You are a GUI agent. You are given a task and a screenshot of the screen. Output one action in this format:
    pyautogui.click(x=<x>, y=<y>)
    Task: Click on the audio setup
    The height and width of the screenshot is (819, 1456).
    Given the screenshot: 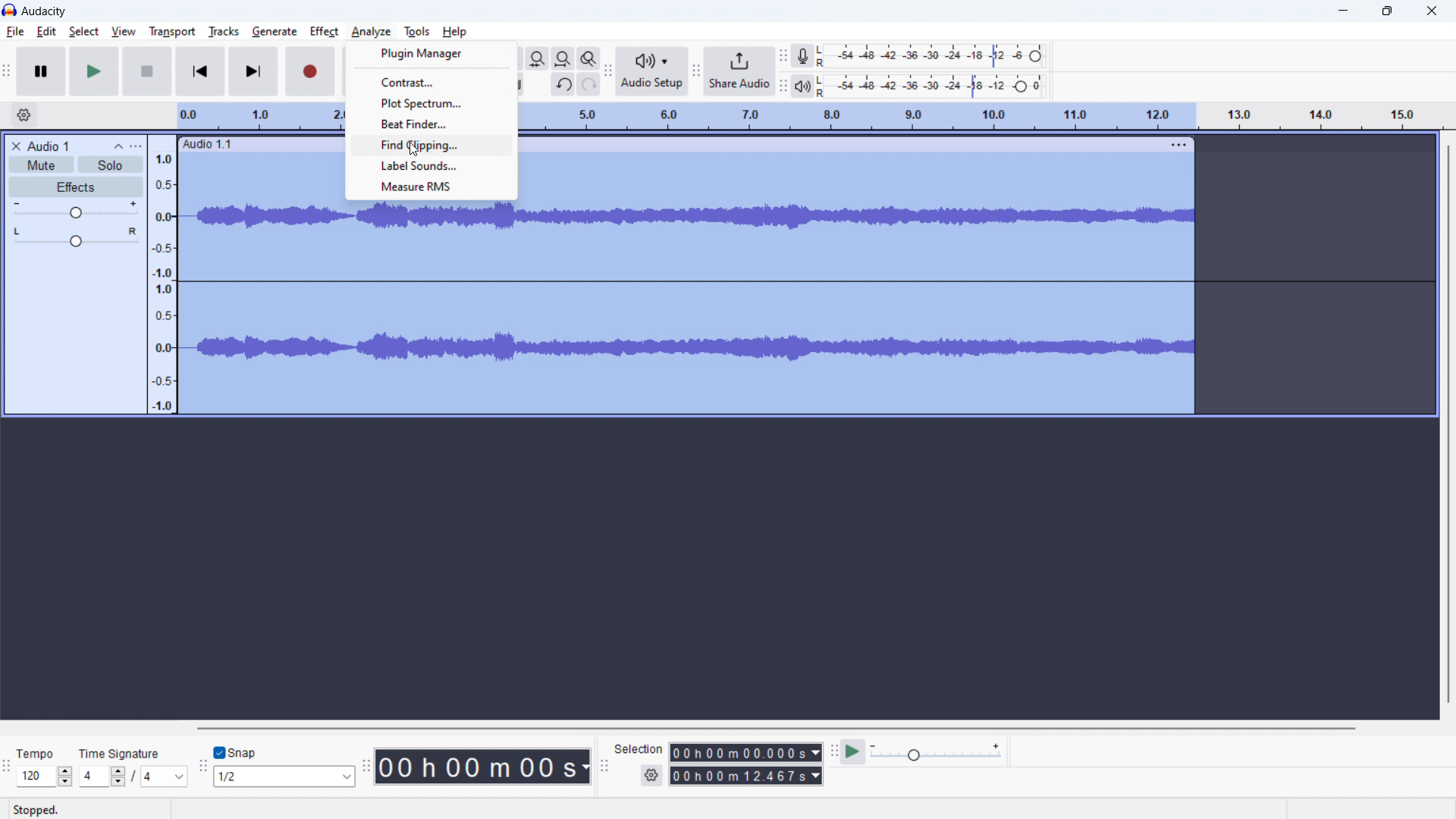 What is the action you would take?
    pyautogui.click(x=607, y=72)
    